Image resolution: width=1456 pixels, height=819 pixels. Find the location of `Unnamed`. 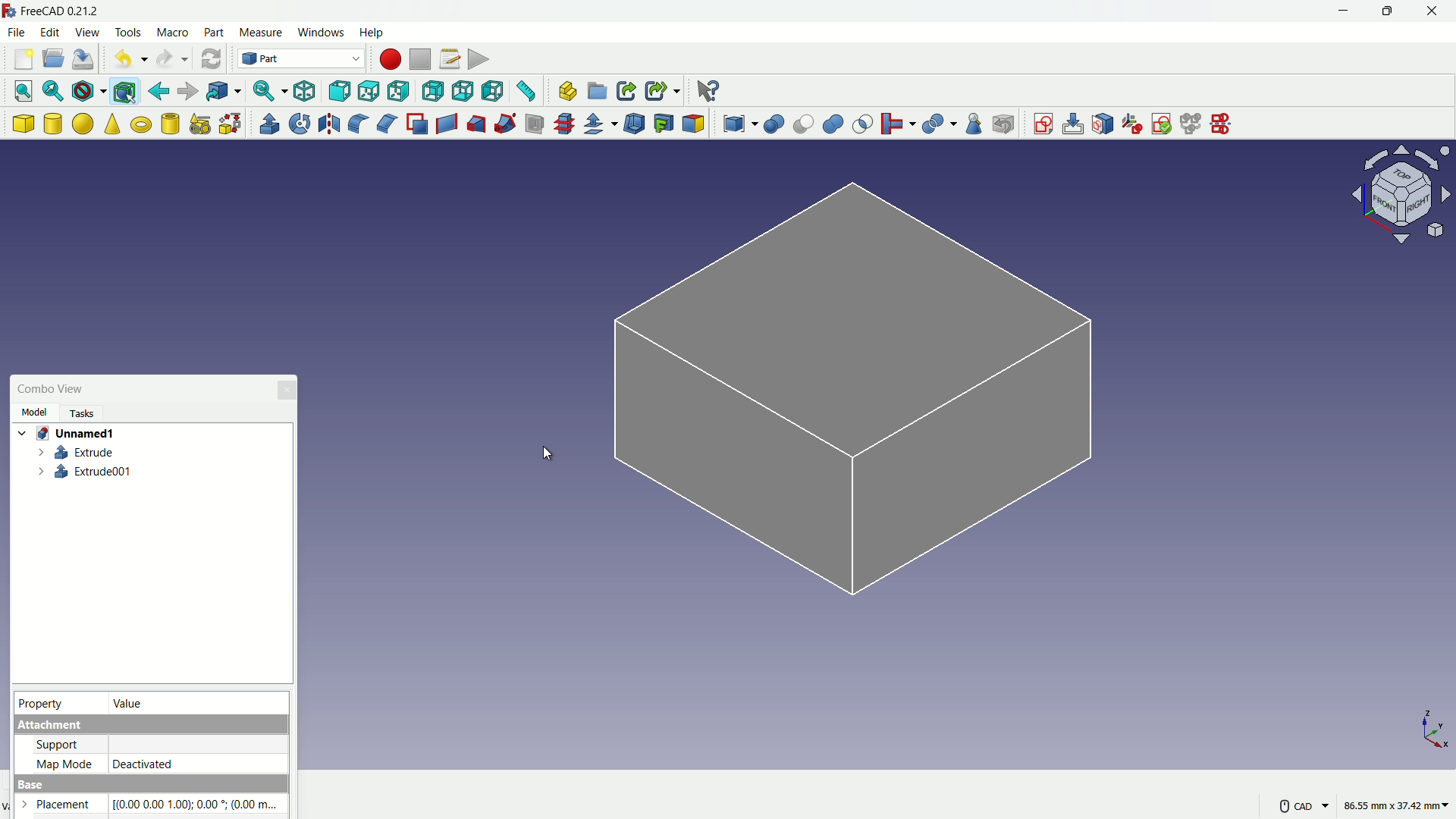

Unnamed is located at coordinates (71, 434).